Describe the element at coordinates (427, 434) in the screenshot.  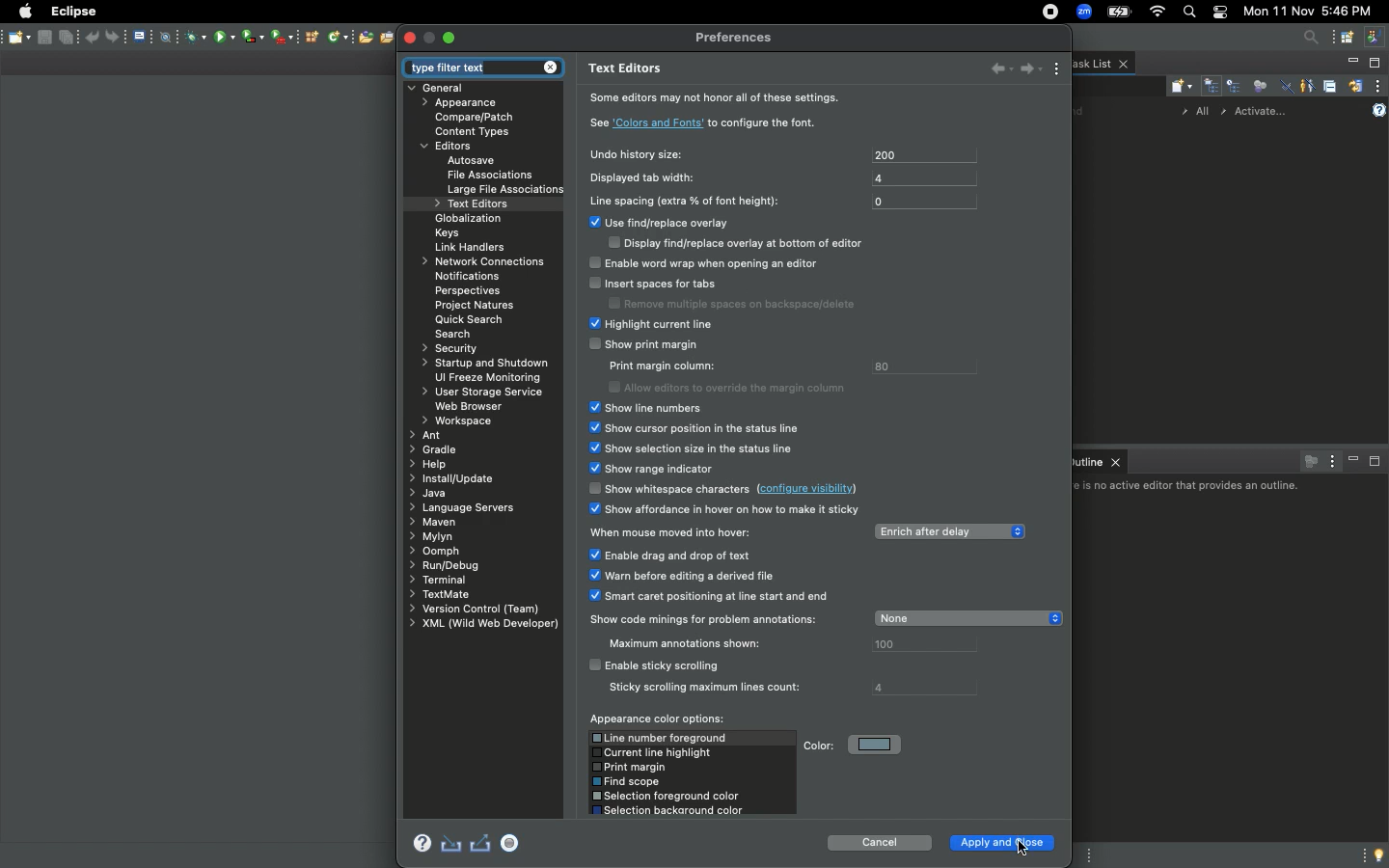
I see `Ant` at that location.